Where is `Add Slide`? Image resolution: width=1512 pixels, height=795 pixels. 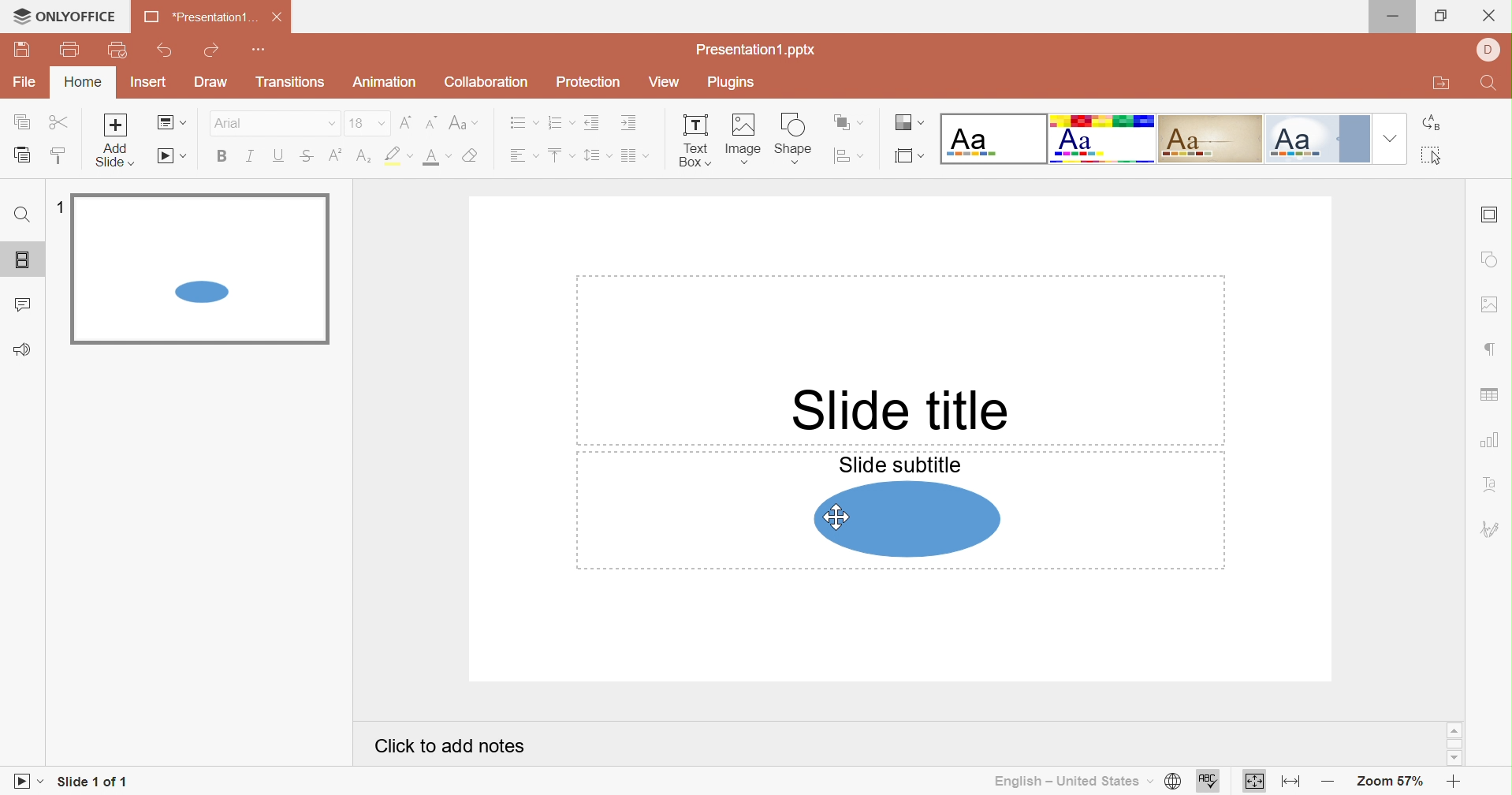
Add Slide is located at coordinates (118, 139).